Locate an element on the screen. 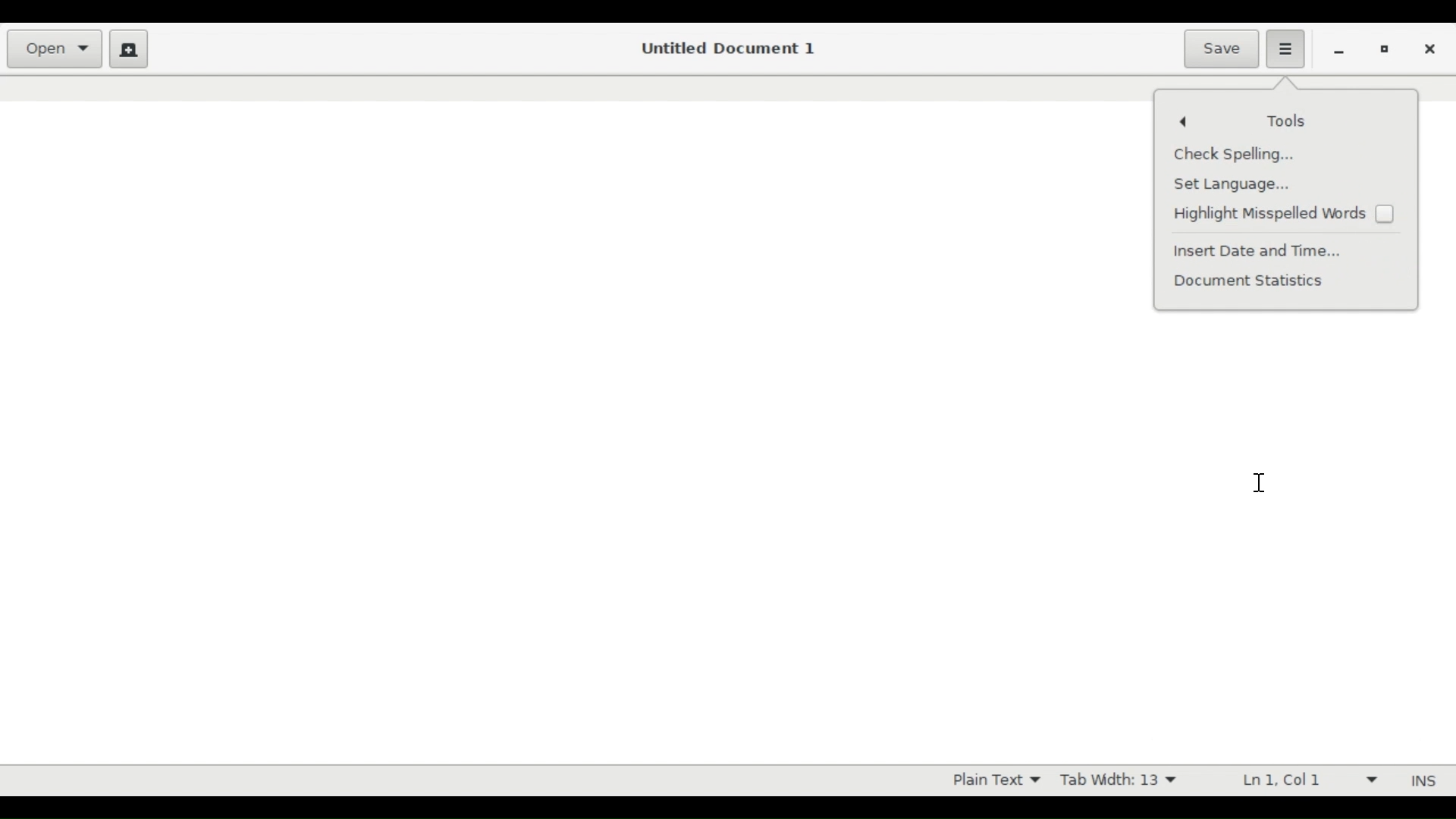  Plain Text is located at coordinates (990, 779).